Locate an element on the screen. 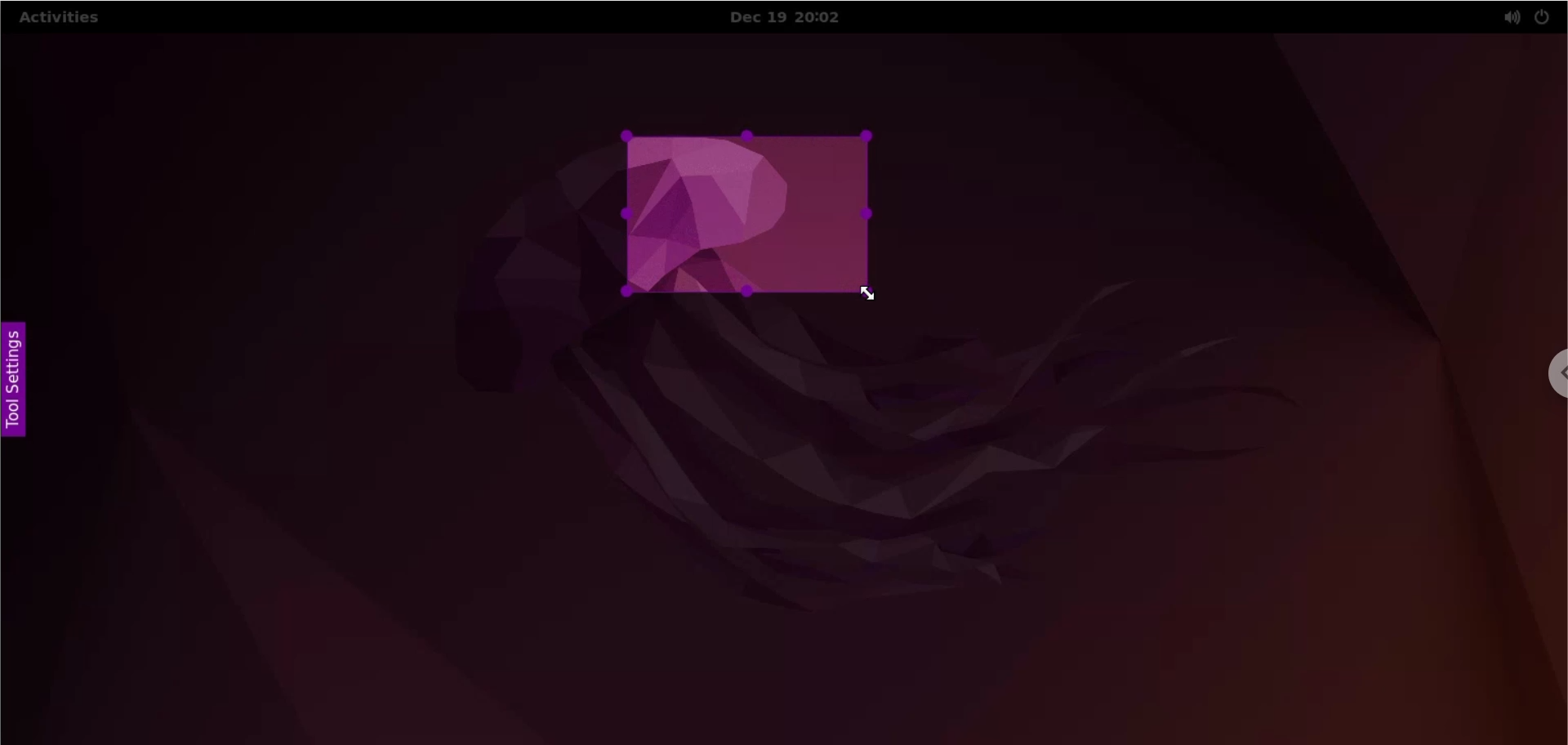  chrome options is located at coordinates (1552, 377).